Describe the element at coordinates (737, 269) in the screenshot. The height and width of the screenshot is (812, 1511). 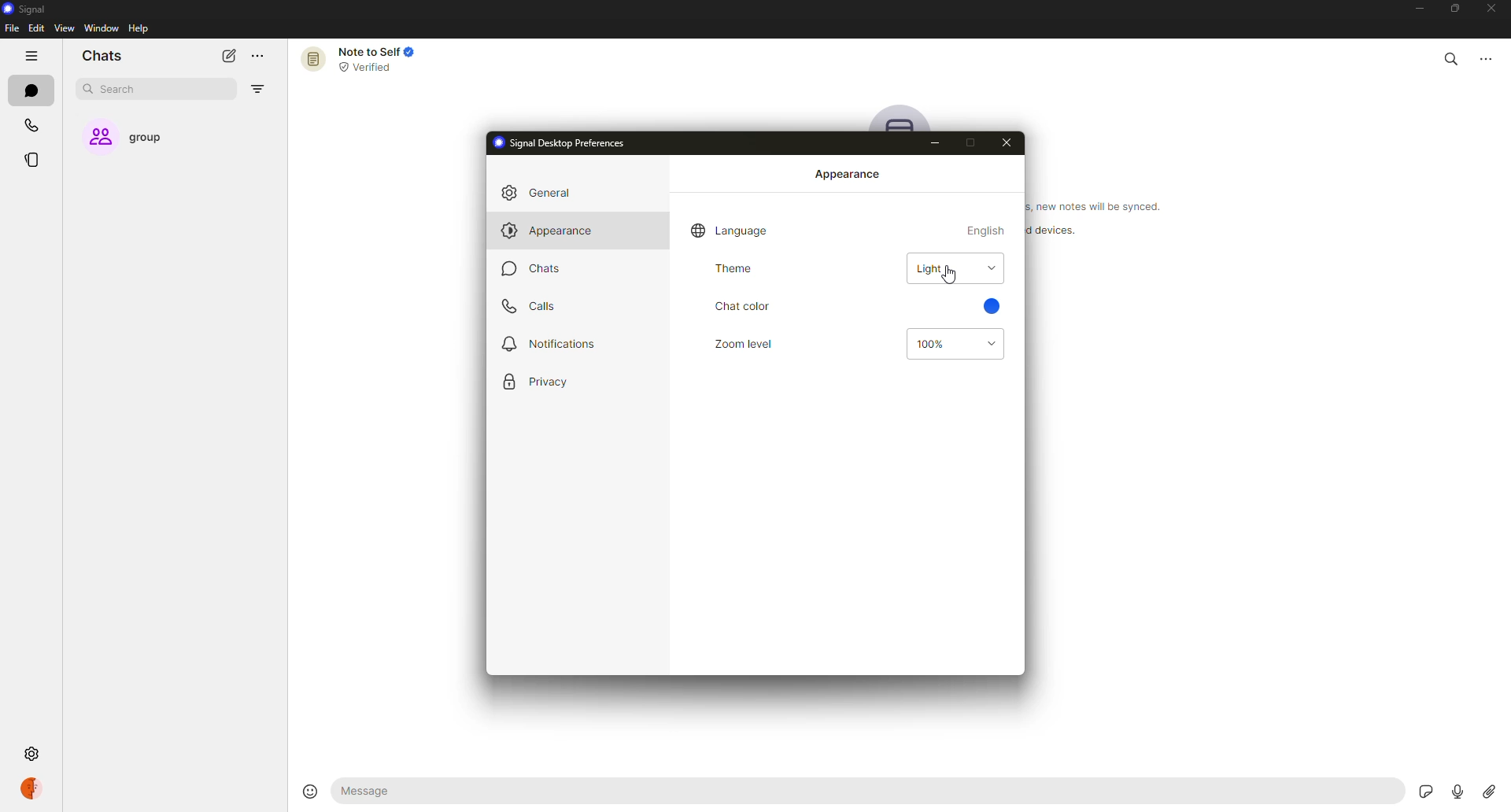
I see `theme` at that location.